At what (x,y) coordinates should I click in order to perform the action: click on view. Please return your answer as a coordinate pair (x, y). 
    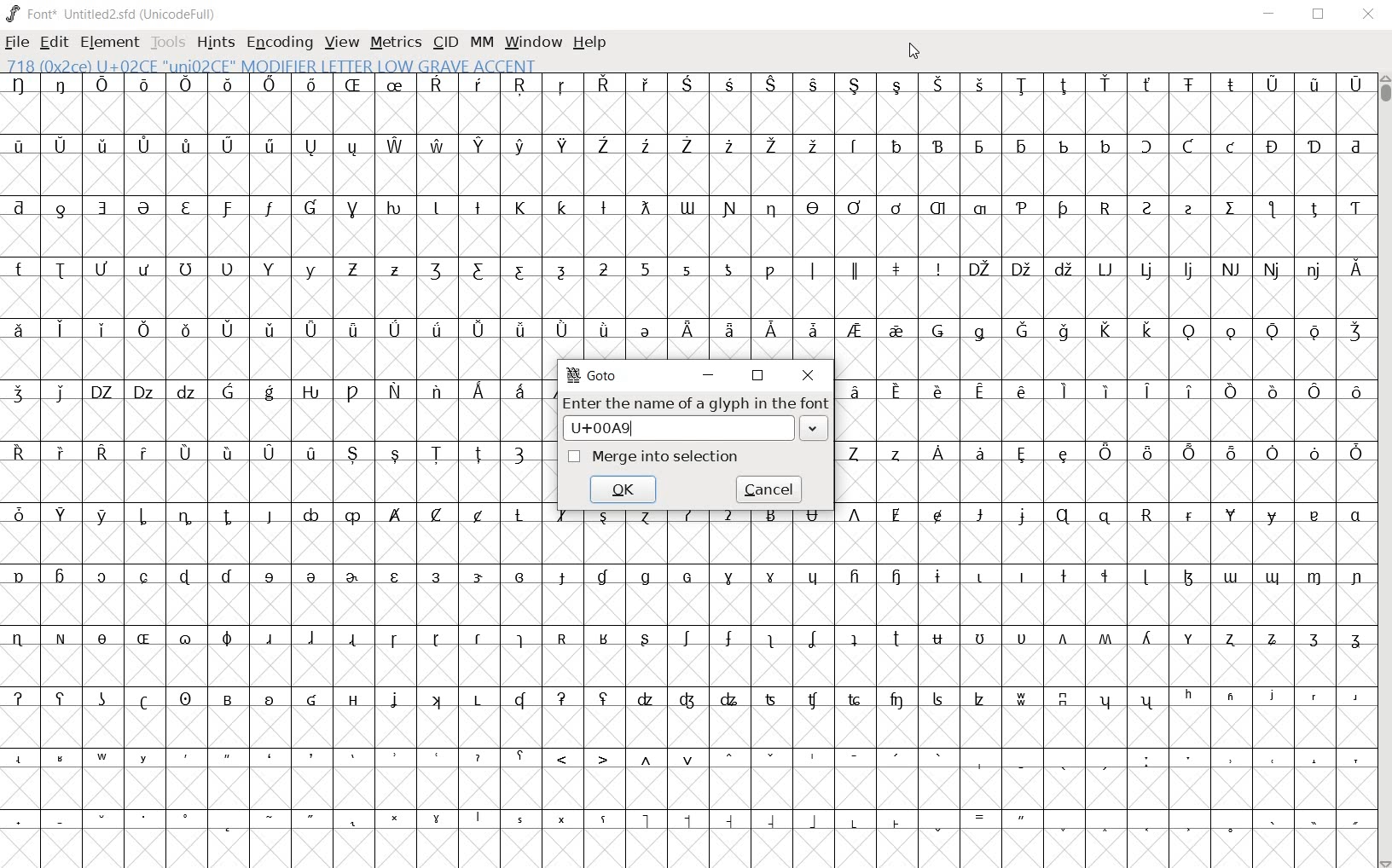
    Looking at the image, I should click on (342, 43).